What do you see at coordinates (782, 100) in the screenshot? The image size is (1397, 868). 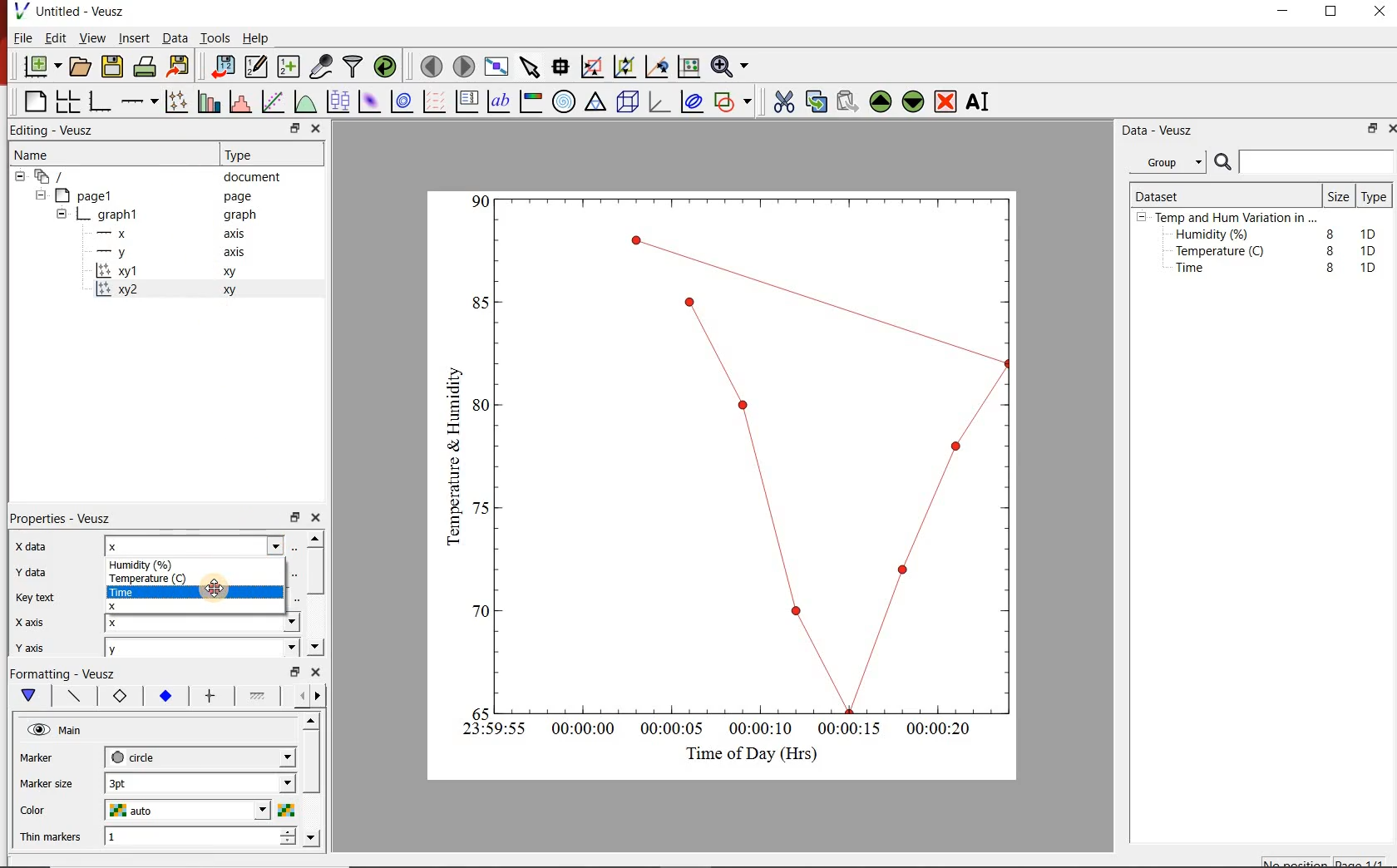 I see `cut the selected widget` at bounding box center [782, 100].